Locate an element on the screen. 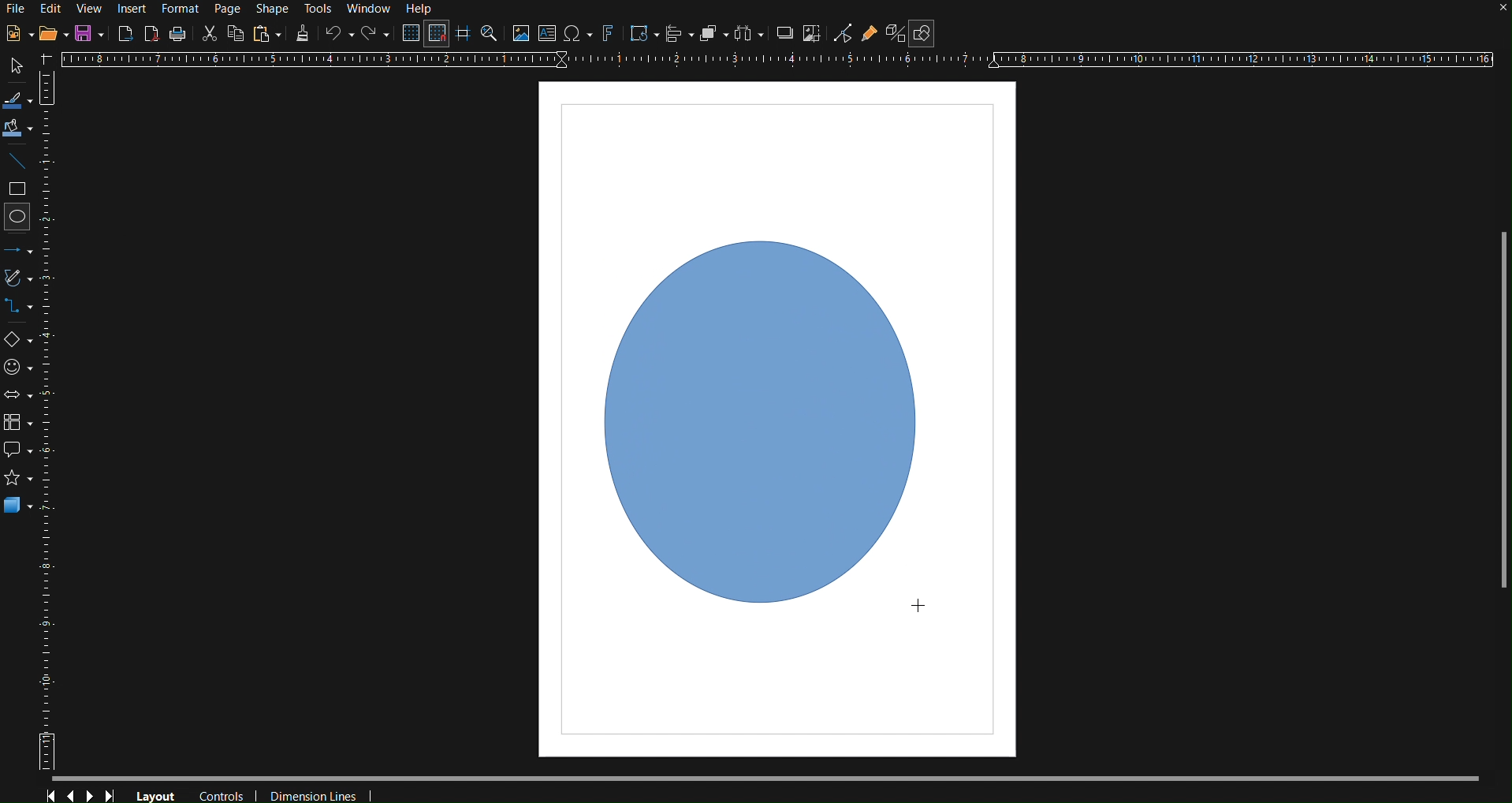  Export as PDF is located at coordinates (151, 33).